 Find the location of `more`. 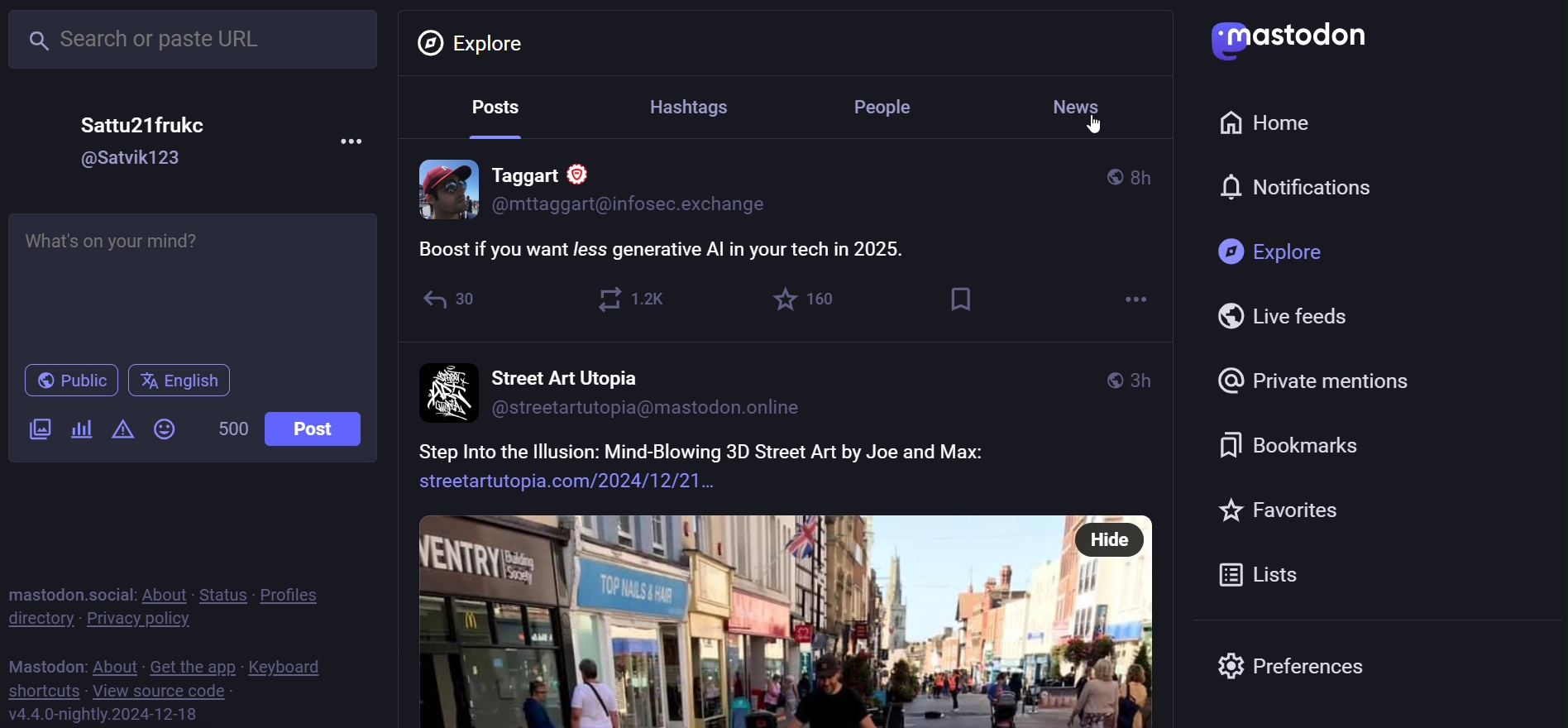

more is located at coordinates (354, 141).